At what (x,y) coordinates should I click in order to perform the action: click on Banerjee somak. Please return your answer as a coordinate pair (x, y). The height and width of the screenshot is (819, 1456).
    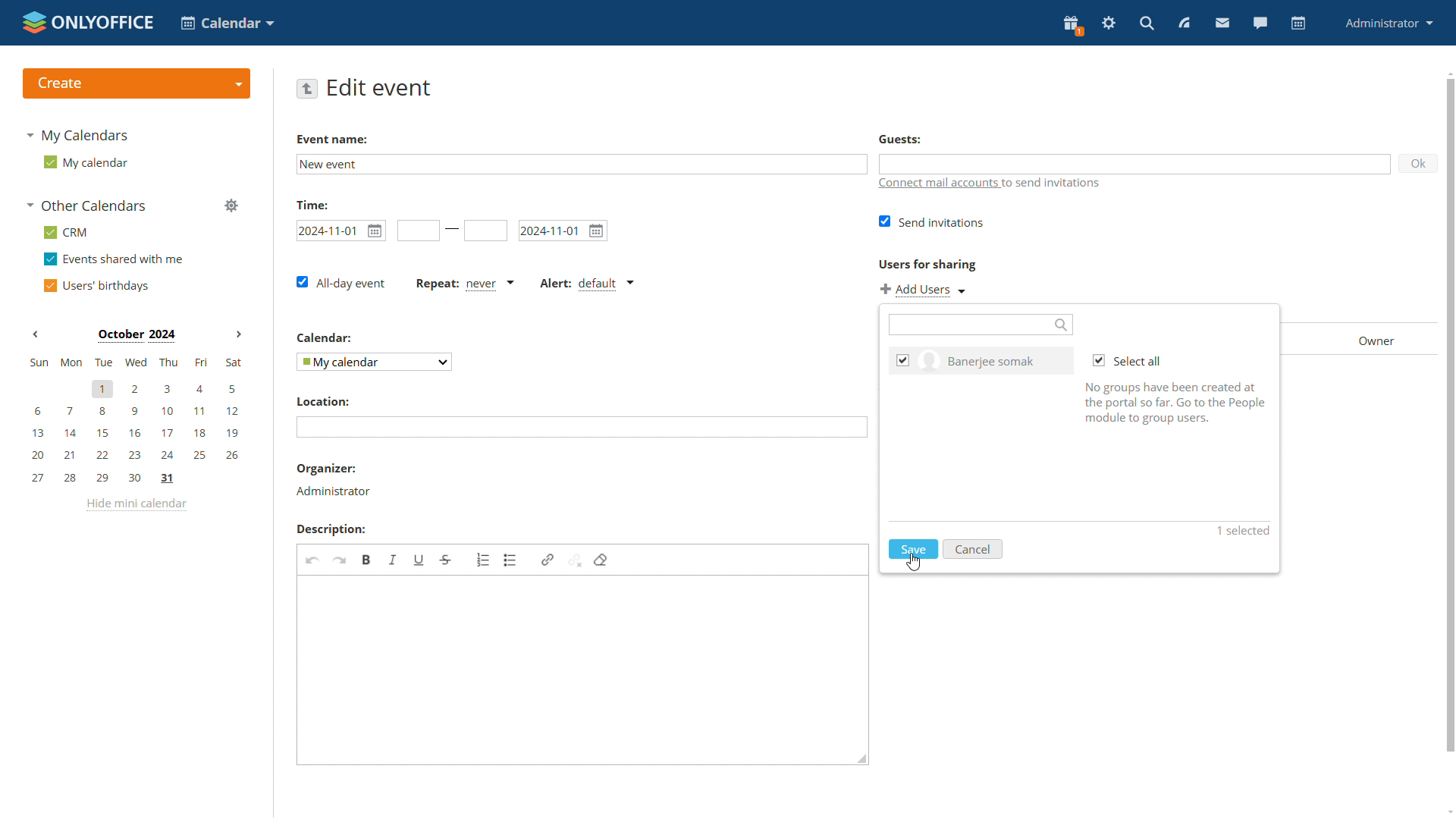
    Looking at the image, I should click on (996, 360).